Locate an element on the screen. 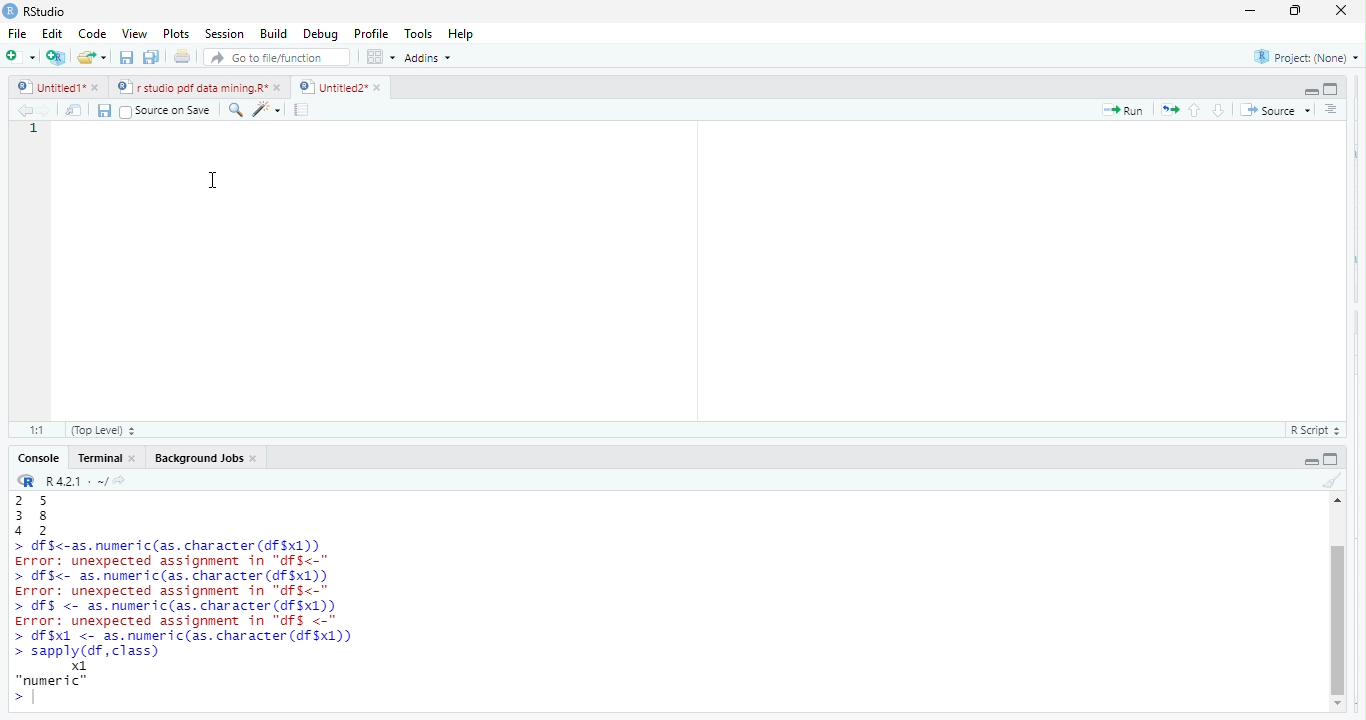  go to previous section/chunk is located at coordinates (1196, 109).